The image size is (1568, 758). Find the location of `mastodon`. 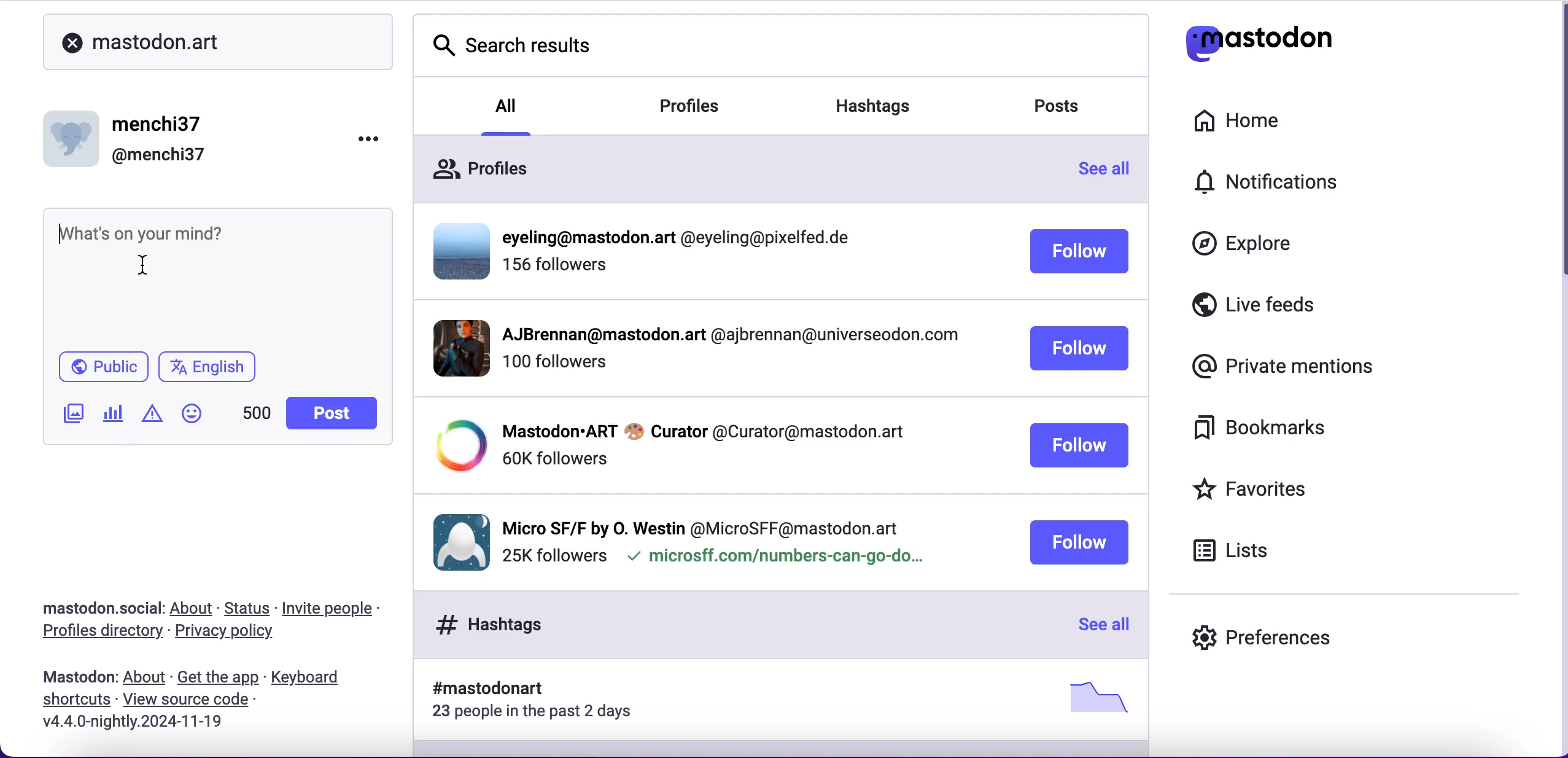

mastodon is located at coordinates (74, 678).